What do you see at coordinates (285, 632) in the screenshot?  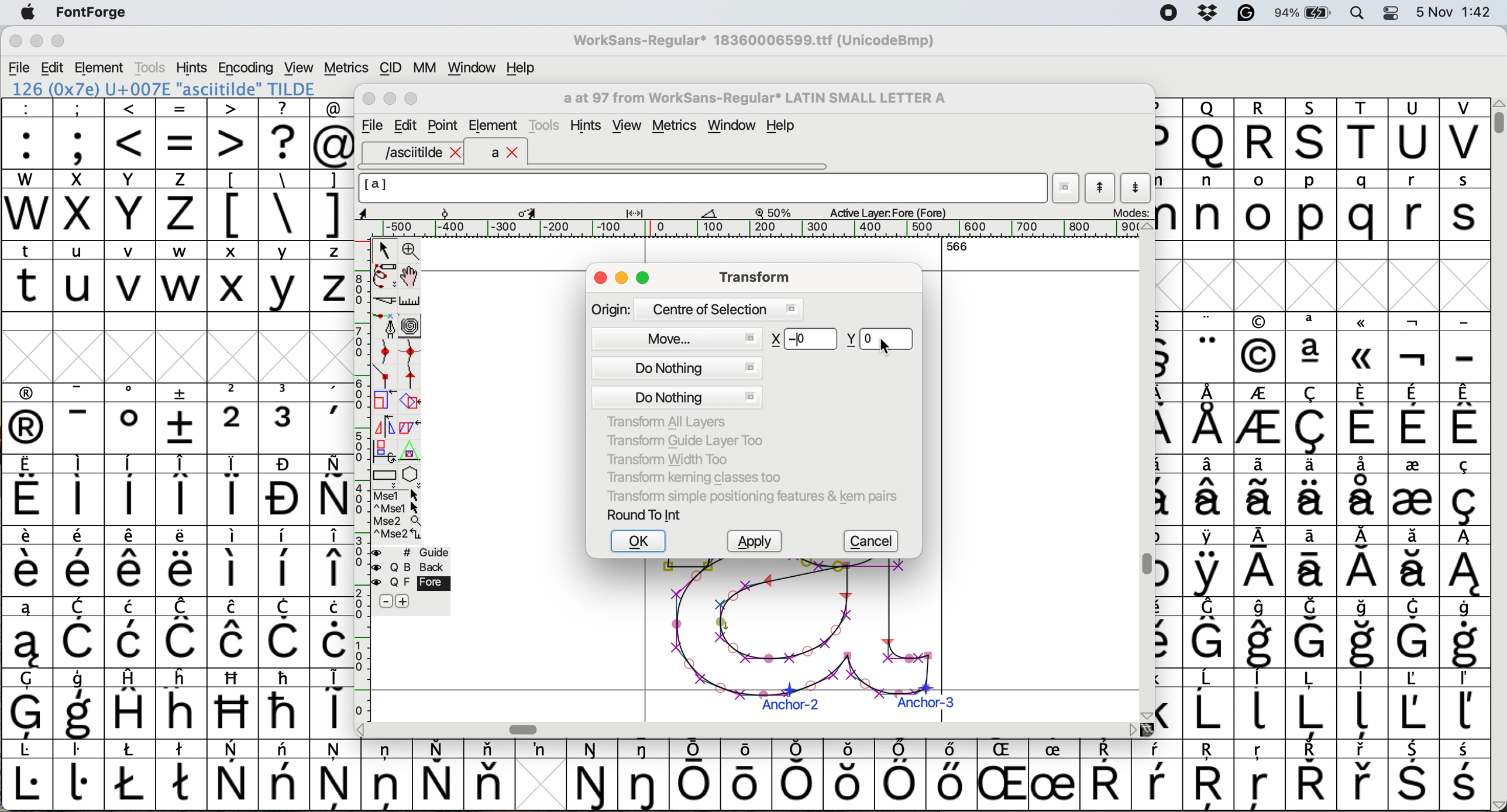 I see `symbol` at bounding box center [285, 632].